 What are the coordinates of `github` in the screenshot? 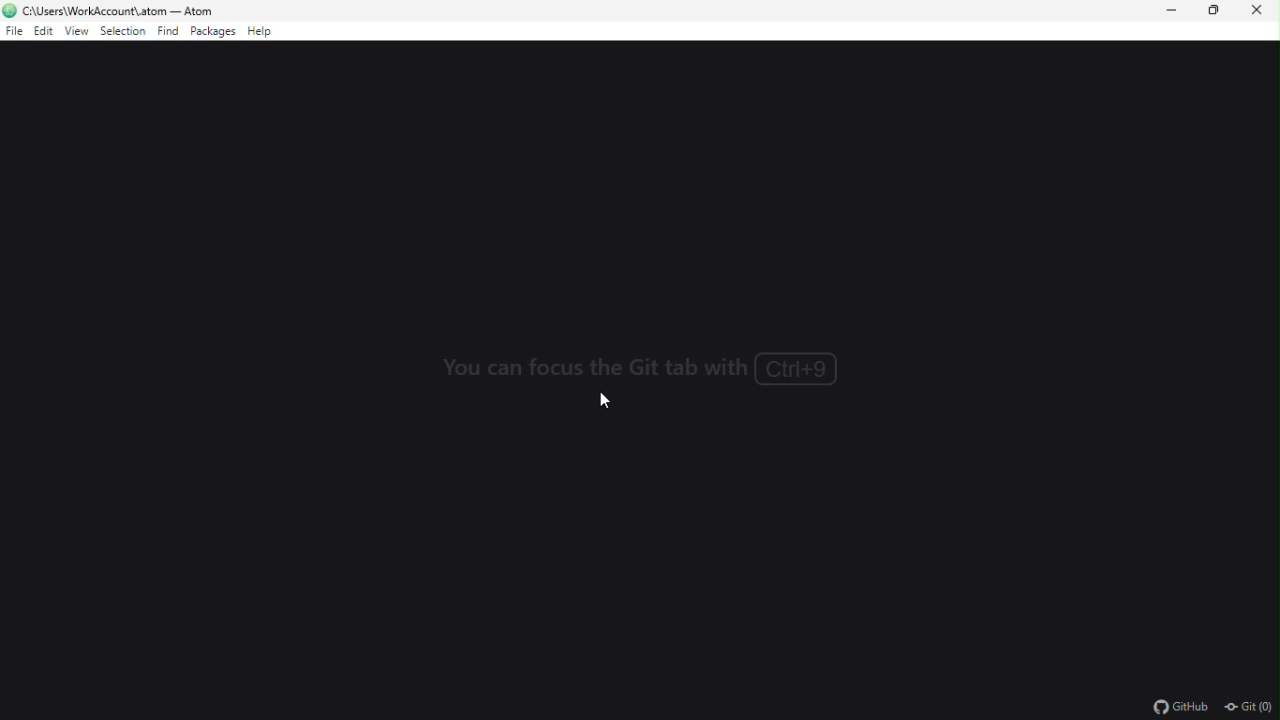 It's located at (1176, 707).